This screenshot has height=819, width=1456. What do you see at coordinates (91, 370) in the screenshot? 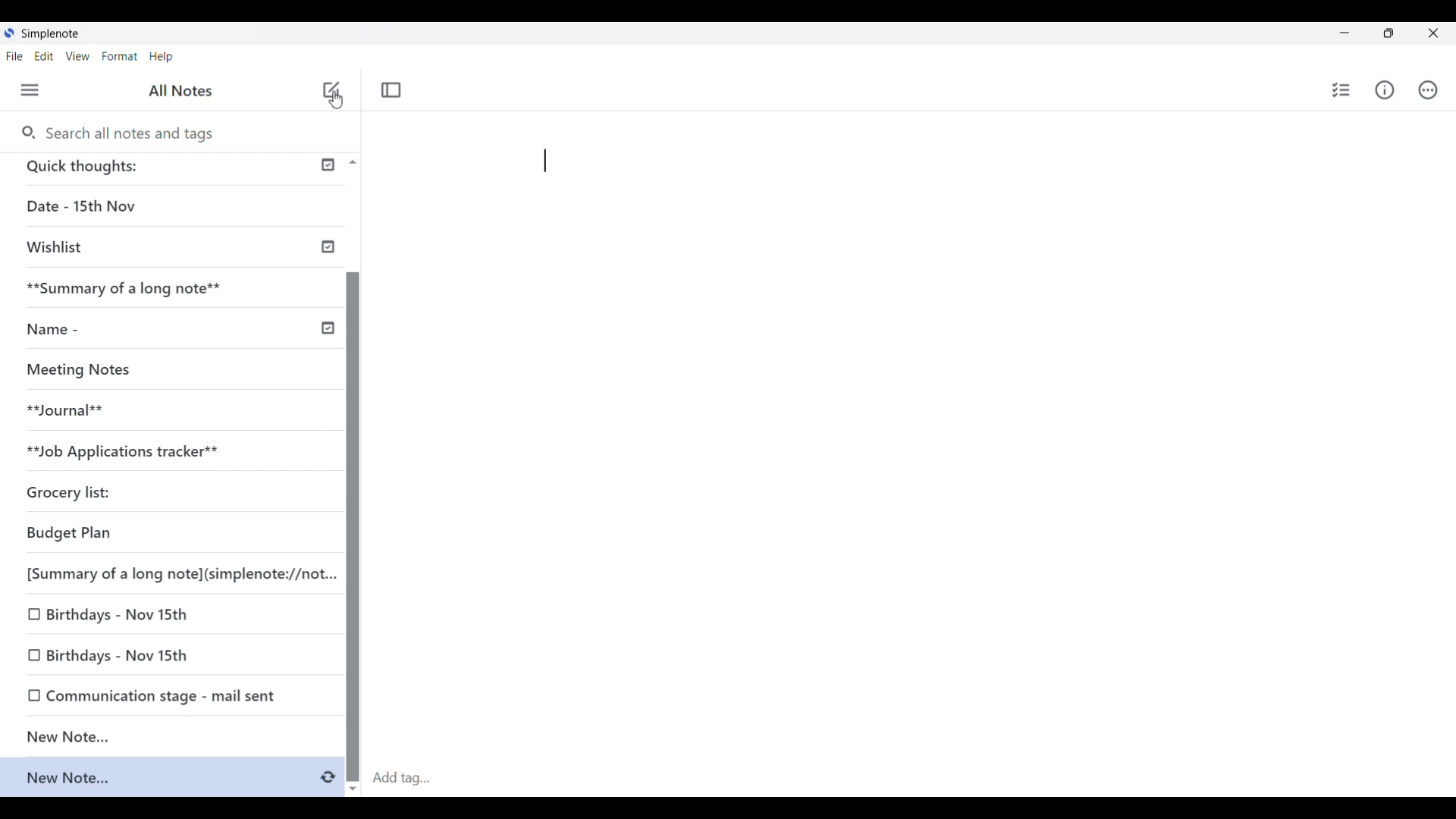
I see `Missing Notes` at bounding box center [91, 370].